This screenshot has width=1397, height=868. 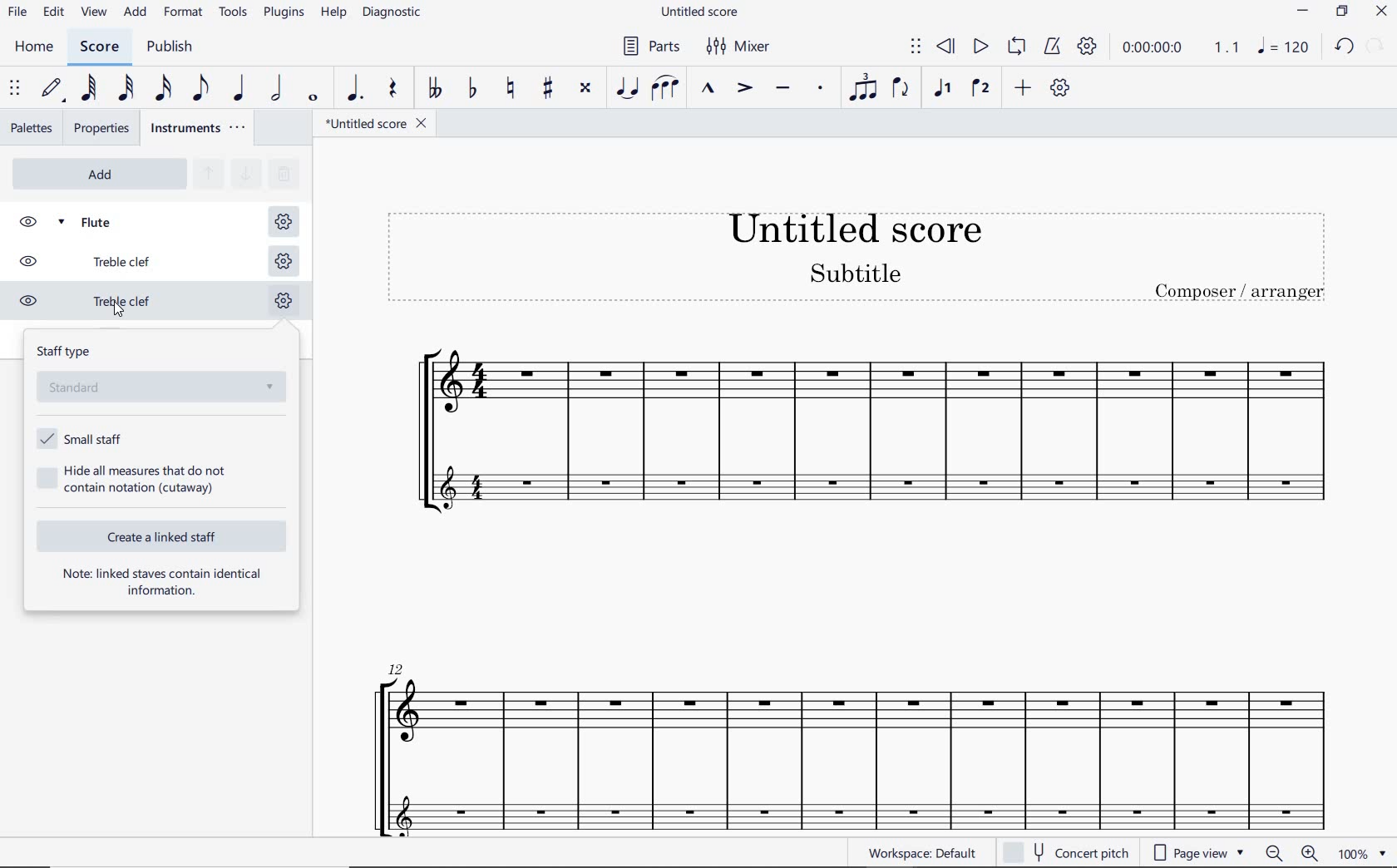 I want to click on TOGGLE FLAT, so click(x=473, y=89).